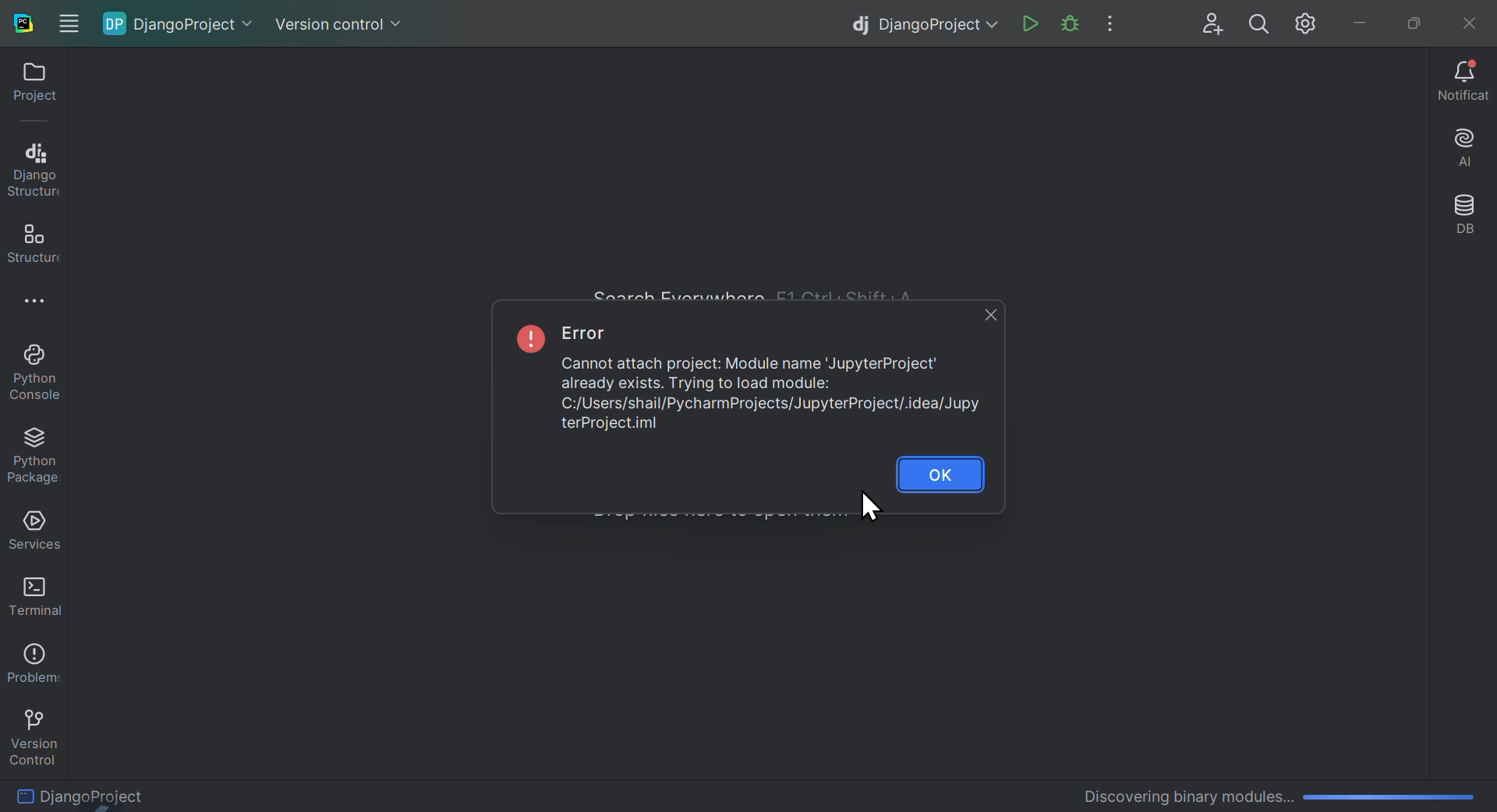 The image size is (1497, 812). What do you see at coordinates (39, 374) in the screenshot?
I see `Python console` at bounding box center [39, 374].